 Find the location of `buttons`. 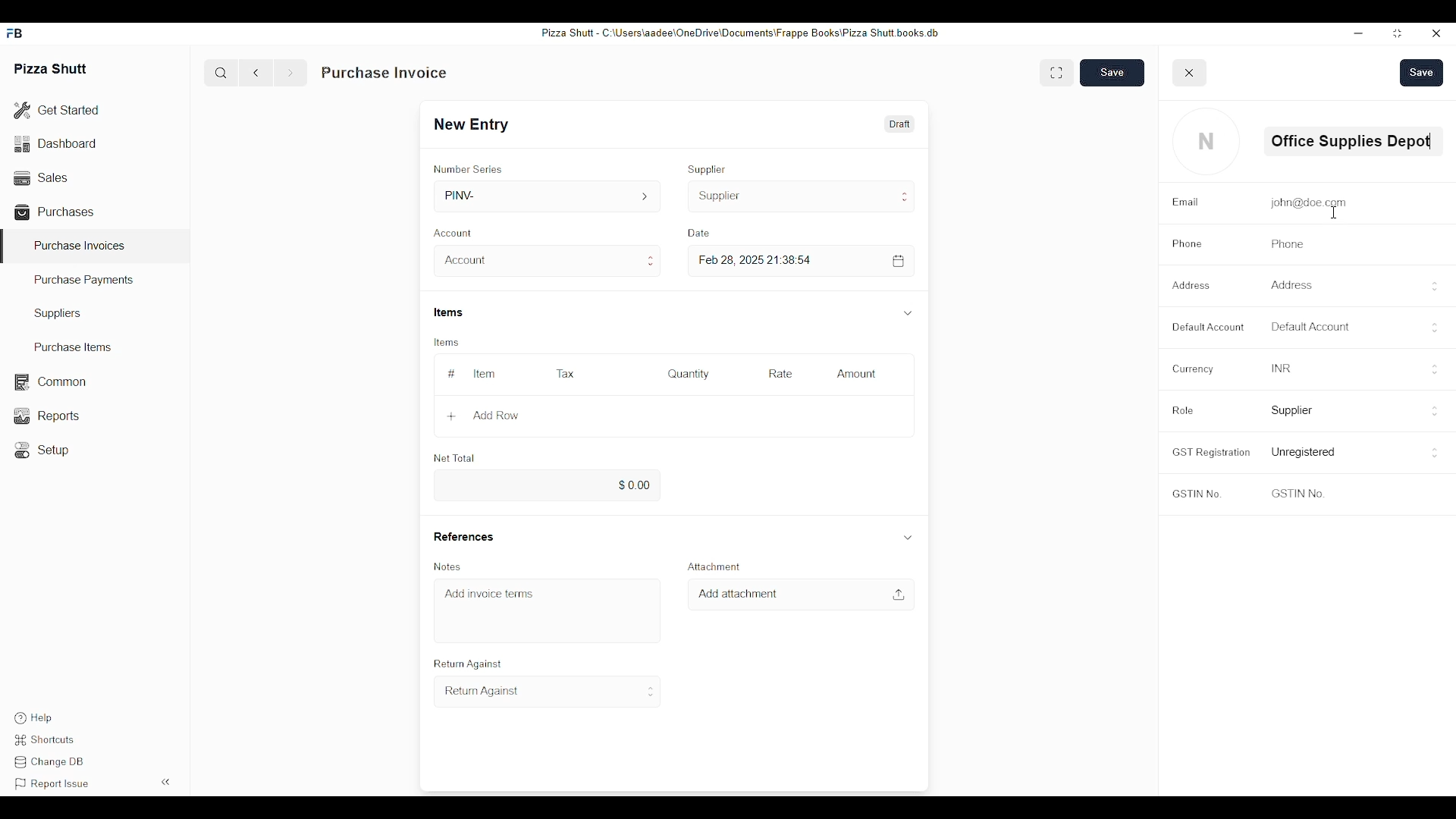

buttons is located at coordinates (1437, 369).